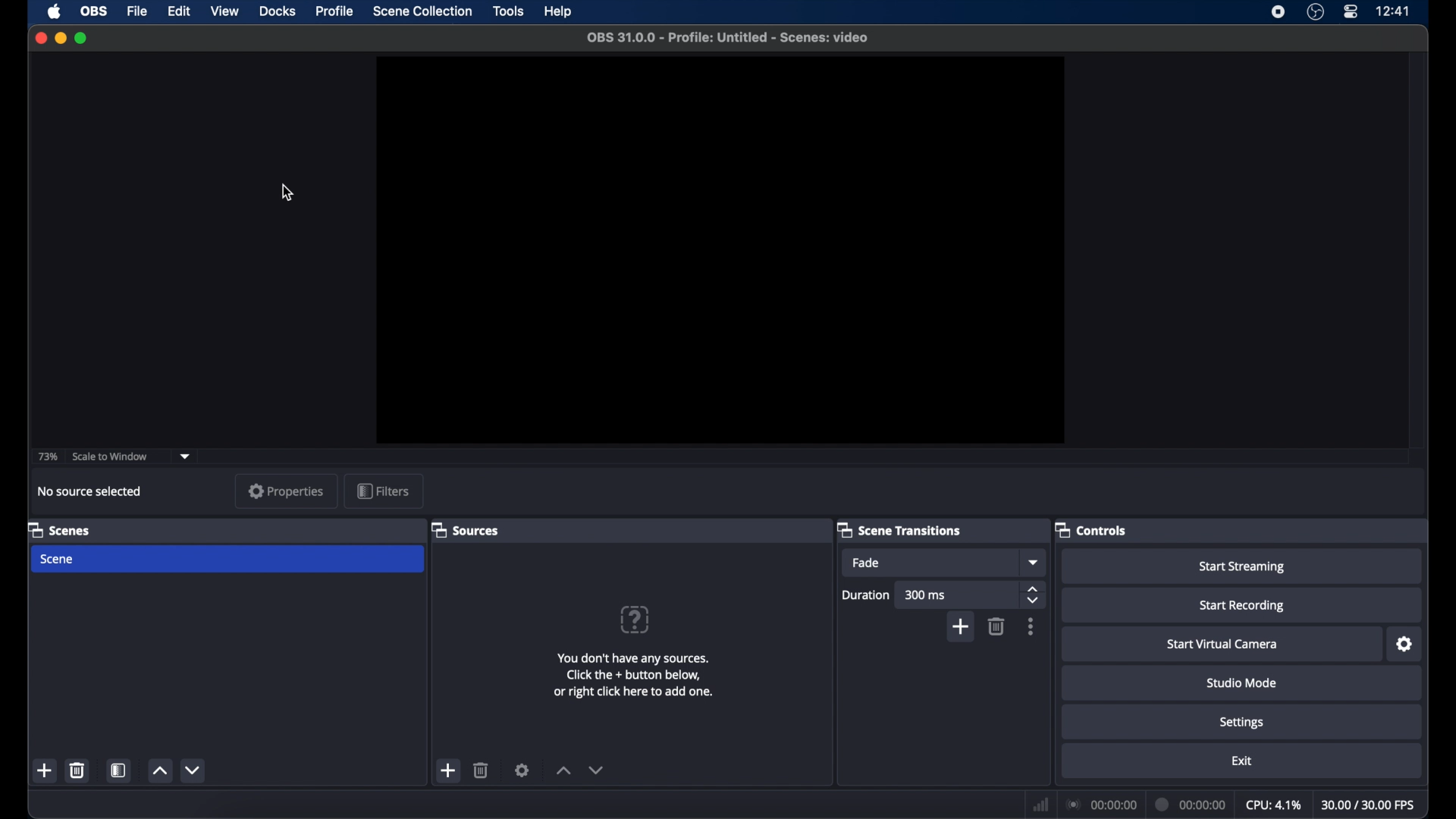  I want to click on start streaming, so click(1241, 566).